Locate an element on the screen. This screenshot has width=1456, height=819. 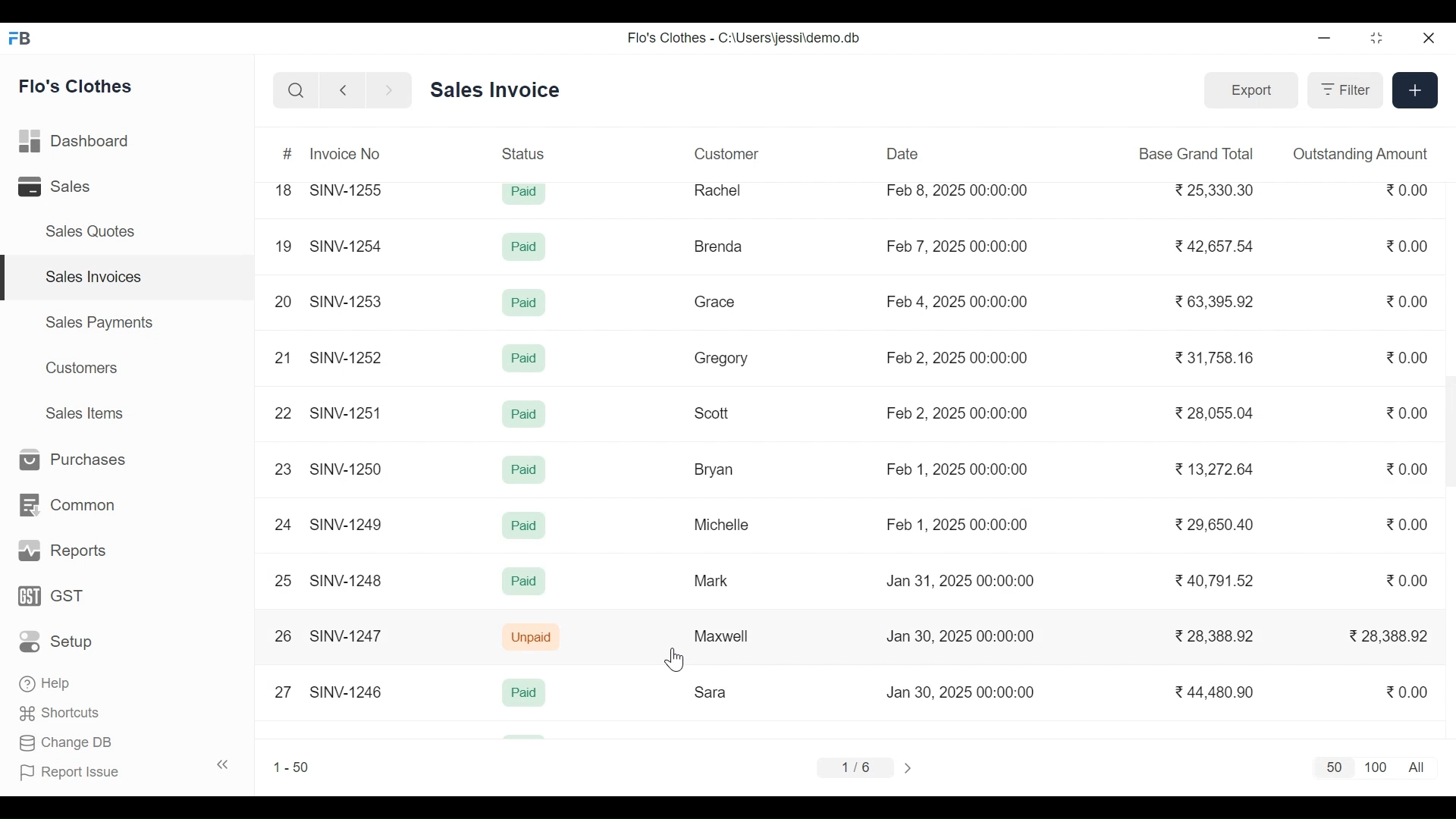
0.00 is located at coordinates (1409, 246).